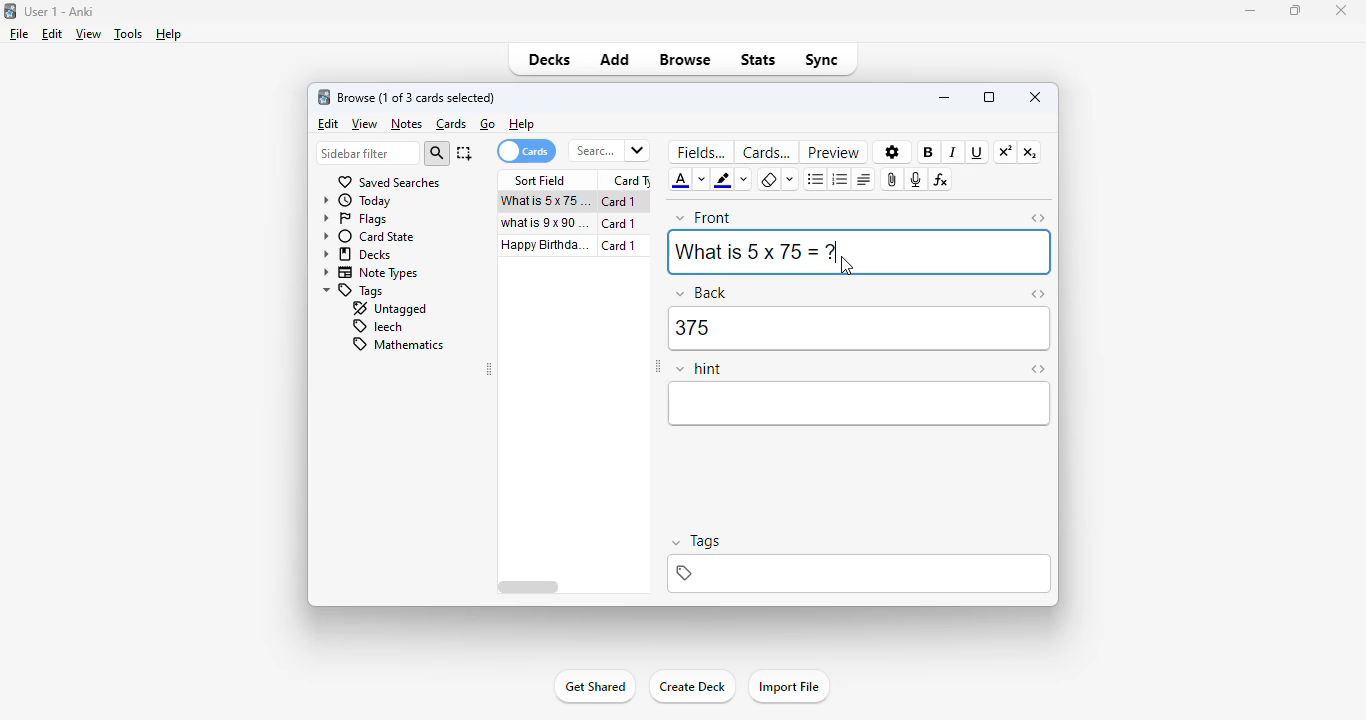 This screenshot has height=720, width=1366. Describe the element at coordinates (929, 152) in the screenshot. I see `bold` at that location.